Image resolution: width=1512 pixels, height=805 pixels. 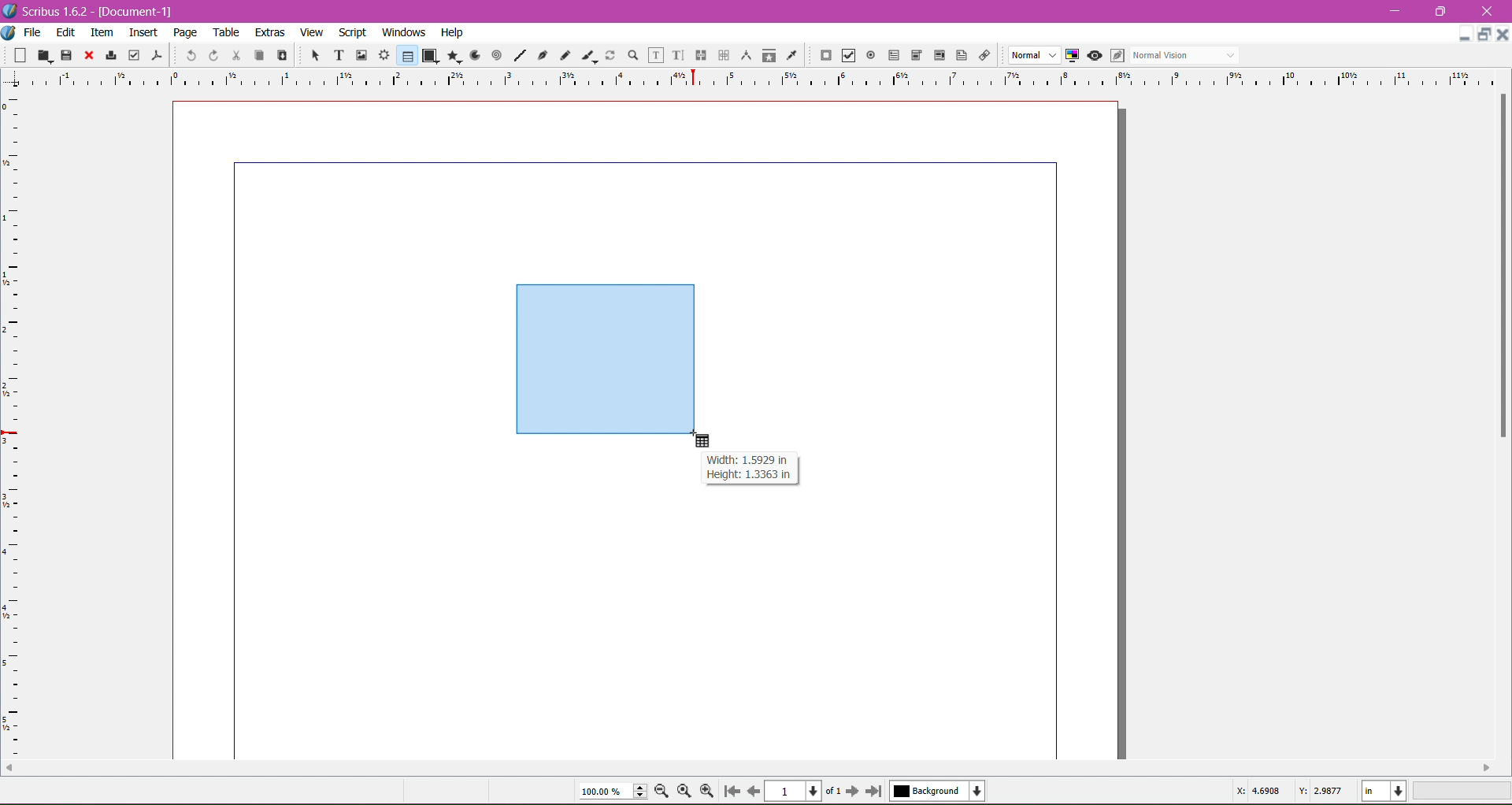 I want to click on scoll bar, so click(x=1503, y=423).